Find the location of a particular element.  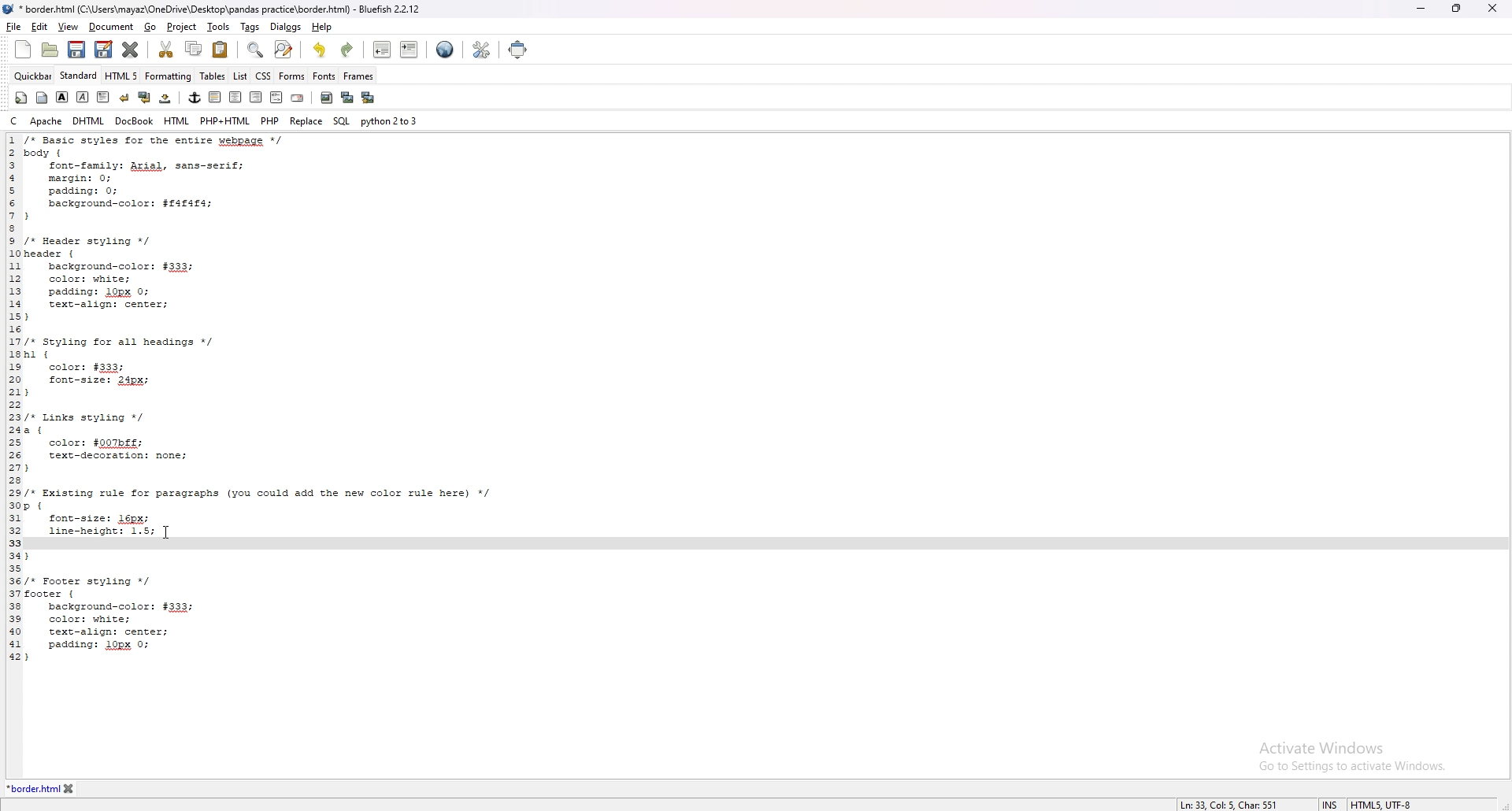

formatting is located at coordinates (169, 76).